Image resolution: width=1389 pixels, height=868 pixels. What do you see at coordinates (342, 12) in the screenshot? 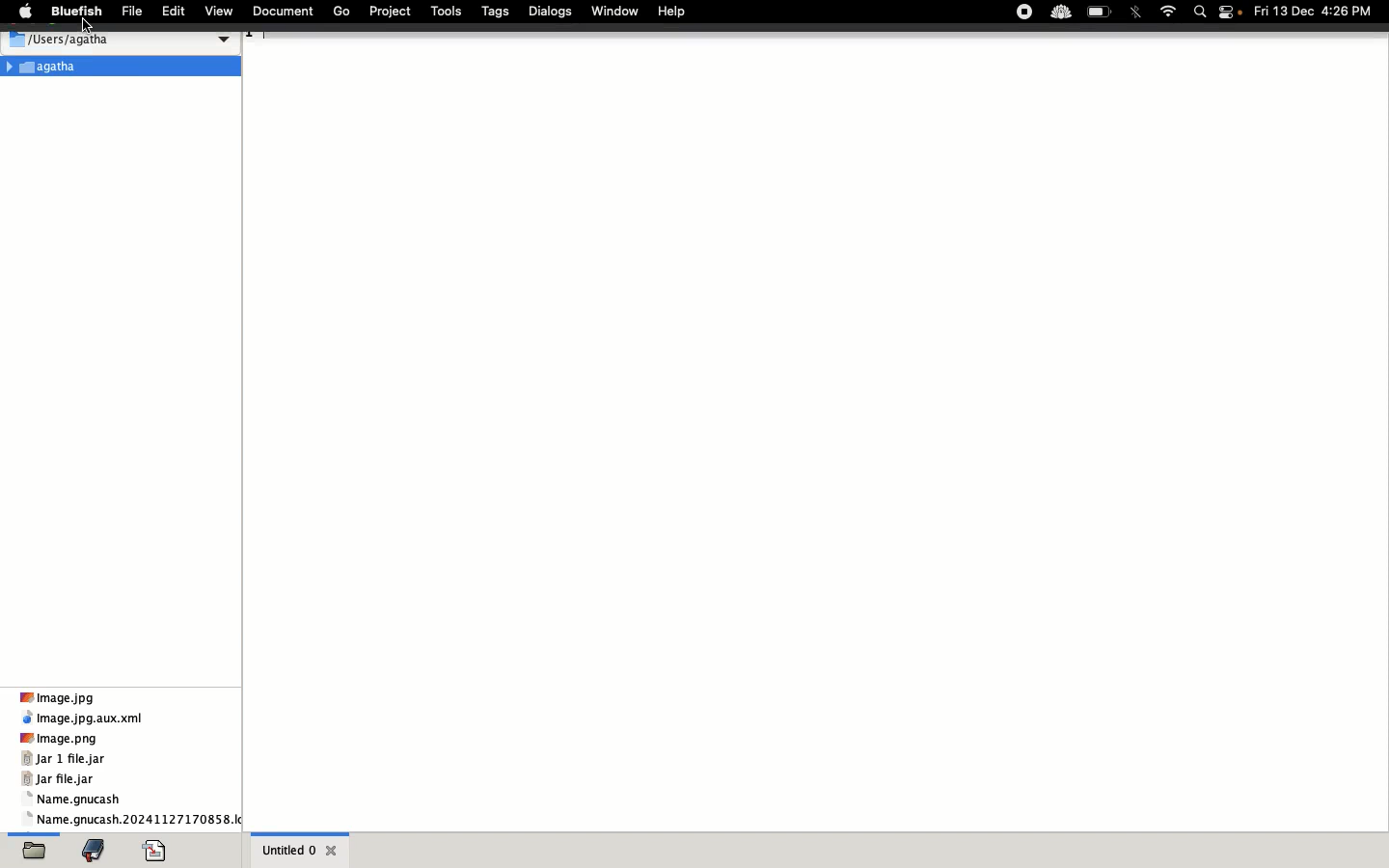
I see `Go` at bounding box center [342, 12].